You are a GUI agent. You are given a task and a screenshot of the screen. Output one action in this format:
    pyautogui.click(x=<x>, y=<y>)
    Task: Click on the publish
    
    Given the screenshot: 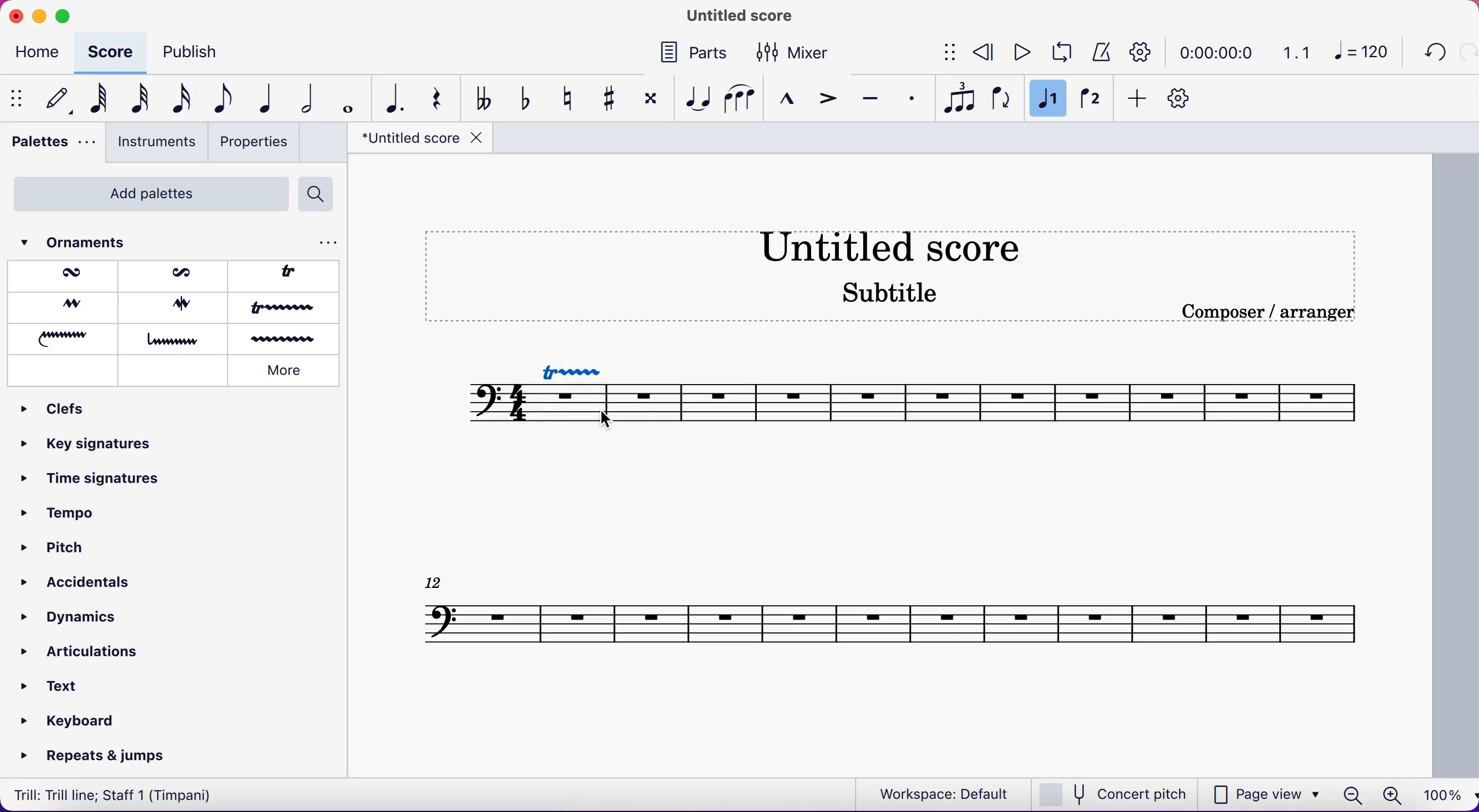 What is the action you would take?
    pyautogui.click(x=205, y=52)
    